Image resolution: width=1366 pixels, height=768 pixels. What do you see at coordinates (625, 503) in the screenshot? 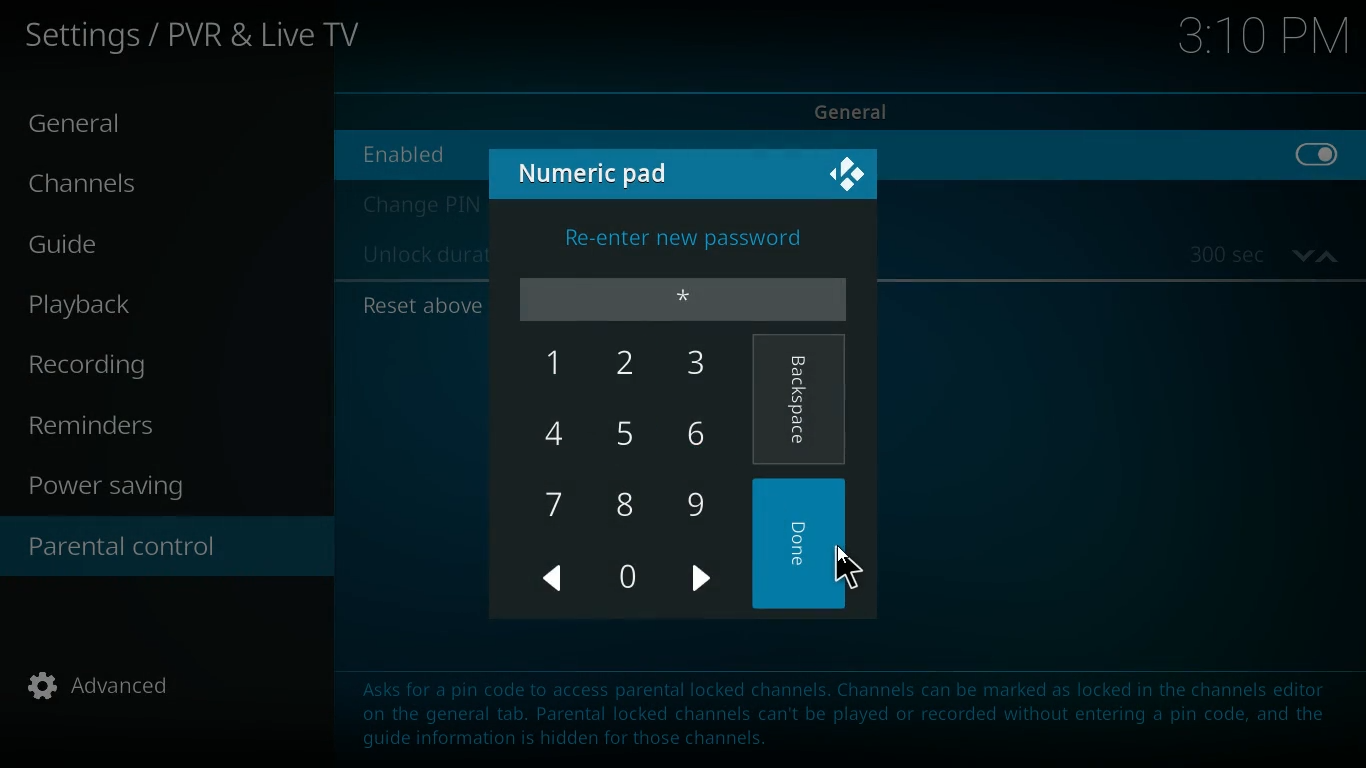
I see `8` at bounding box center [625, 503].